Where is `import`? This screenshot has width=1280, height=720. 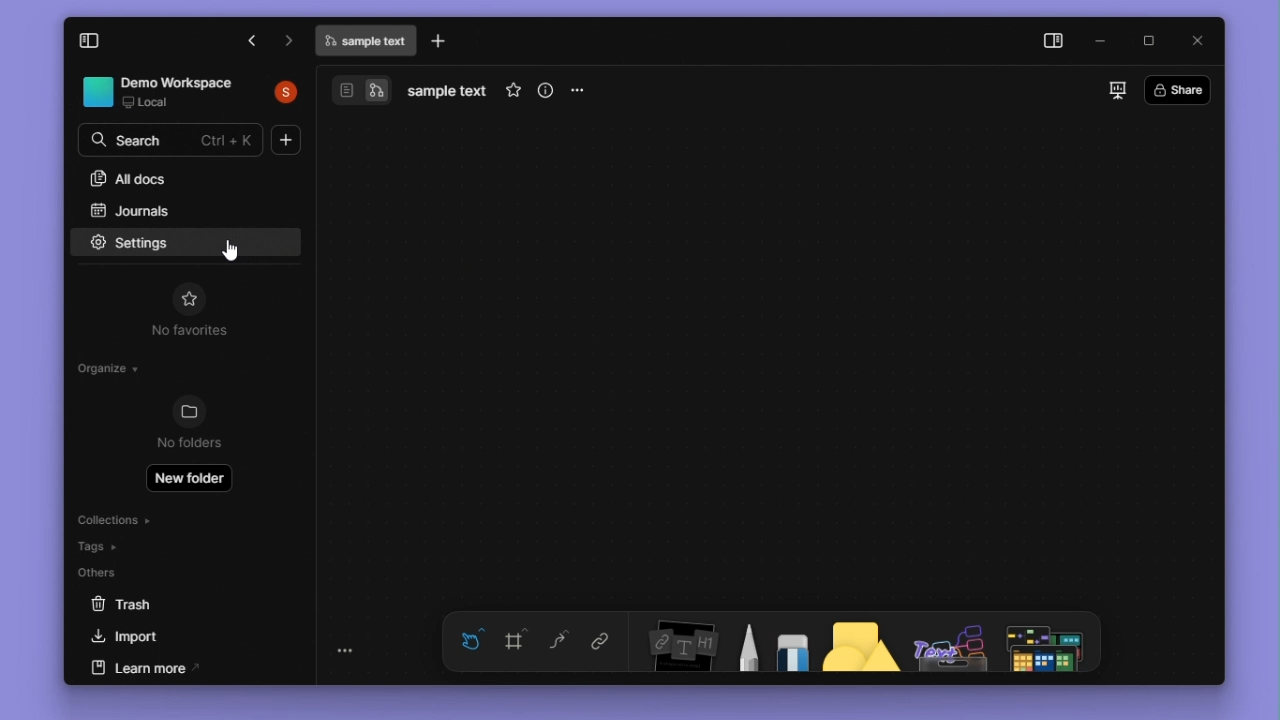
import is located at coordinates (174, 638).